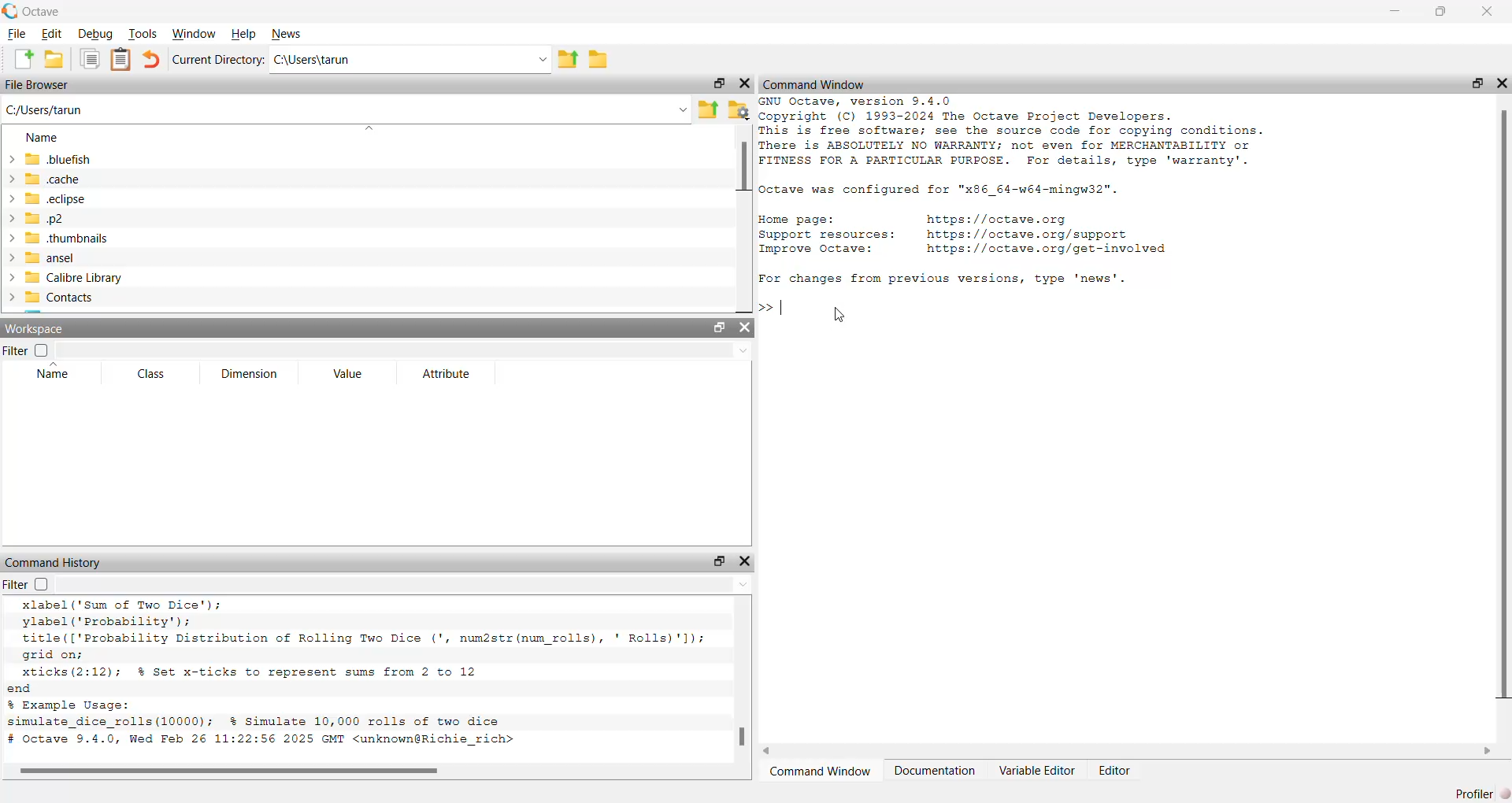 The height and width of the screenshot is (803, 1512). Describe the element at coordinates (14, 34) in the screenshot. I see `File` at that location.